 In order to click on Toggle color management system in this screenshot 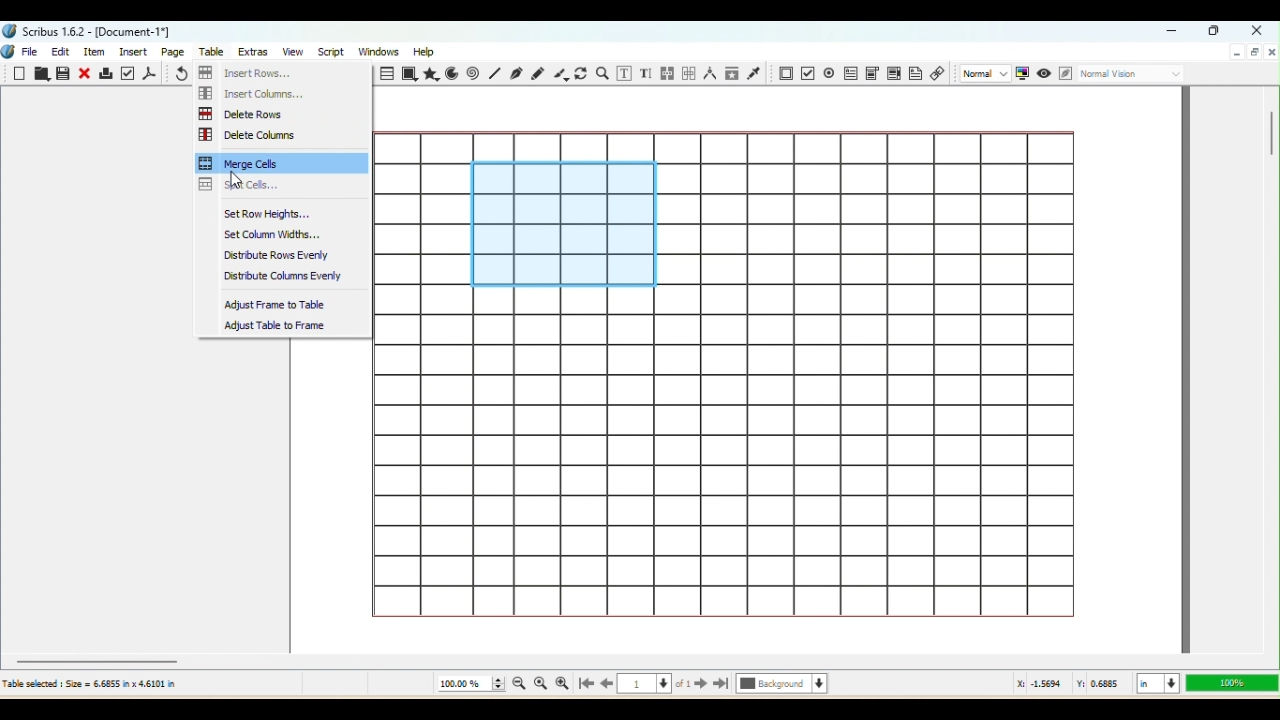, I will do `click(1022, 74)`.